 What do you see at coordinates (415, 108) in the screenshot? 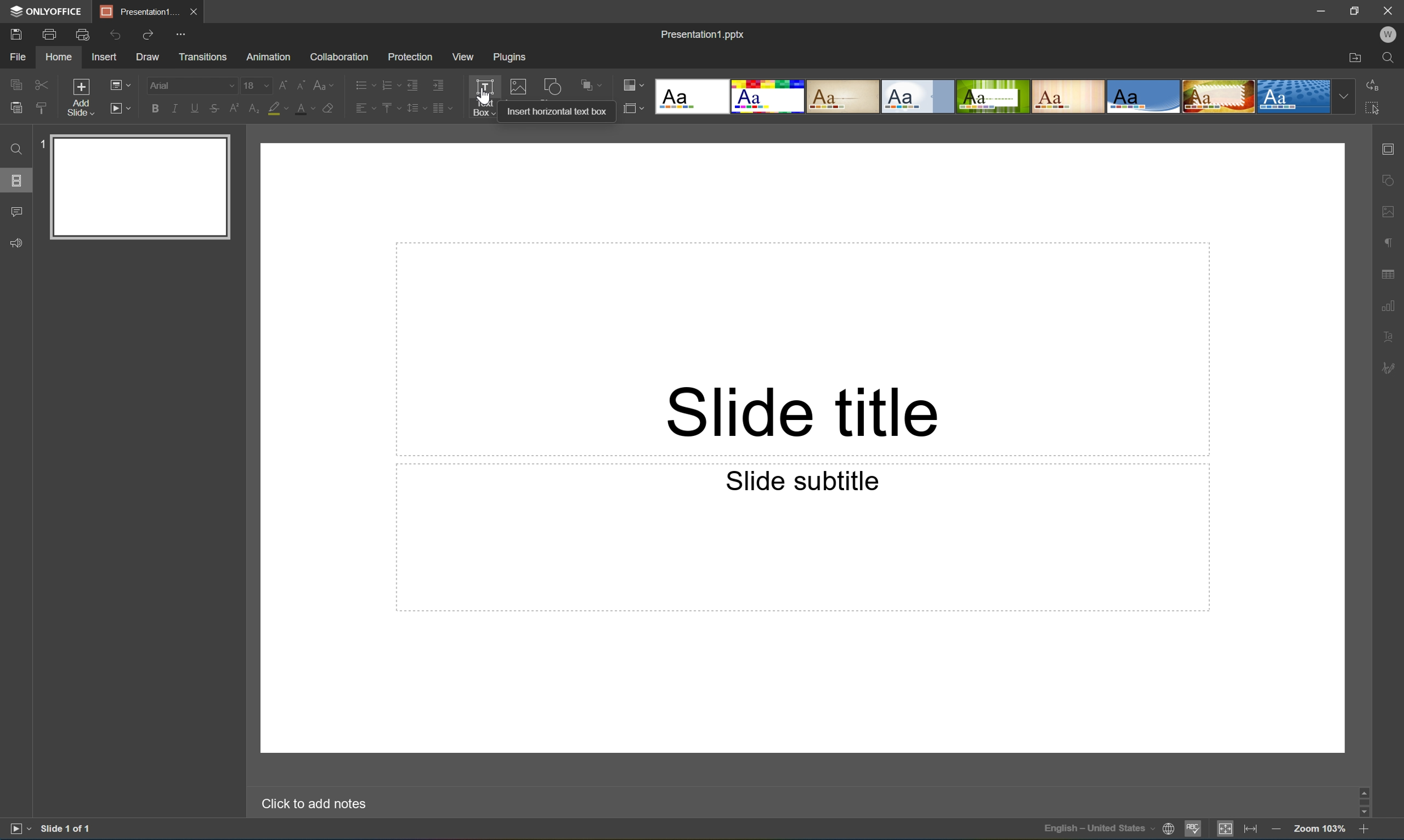
I see `Line spacing` at bounding box center [415, 108].